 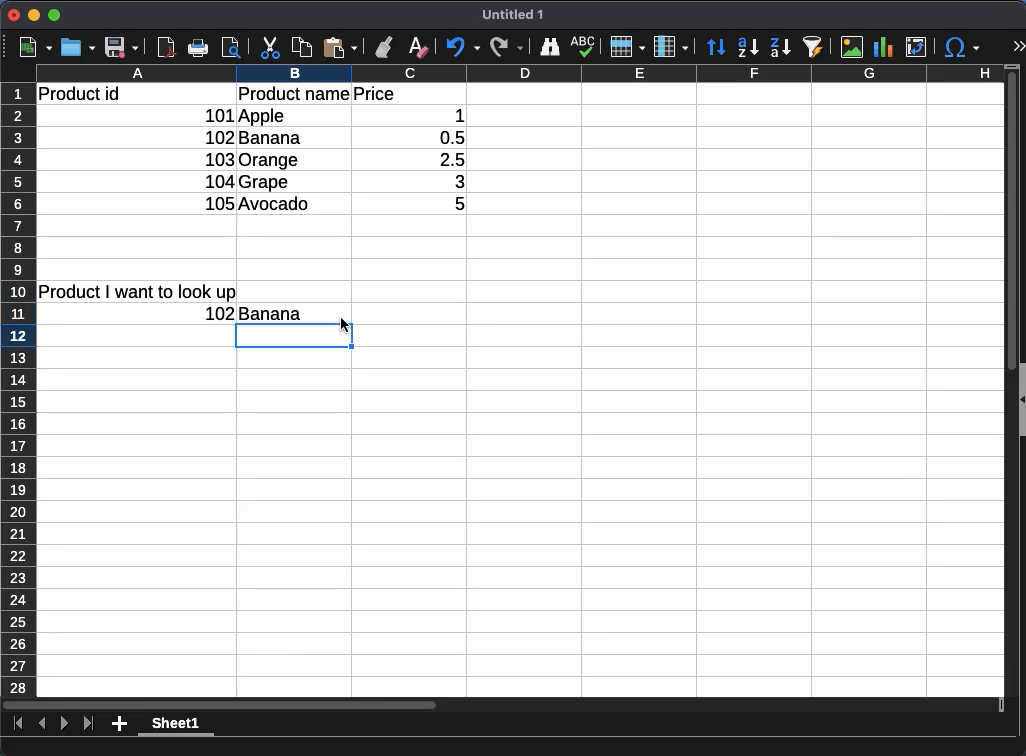 What do you see at coordinates (217, 116) in the screenshot?
I see `101` at bounding box center [217, 116].